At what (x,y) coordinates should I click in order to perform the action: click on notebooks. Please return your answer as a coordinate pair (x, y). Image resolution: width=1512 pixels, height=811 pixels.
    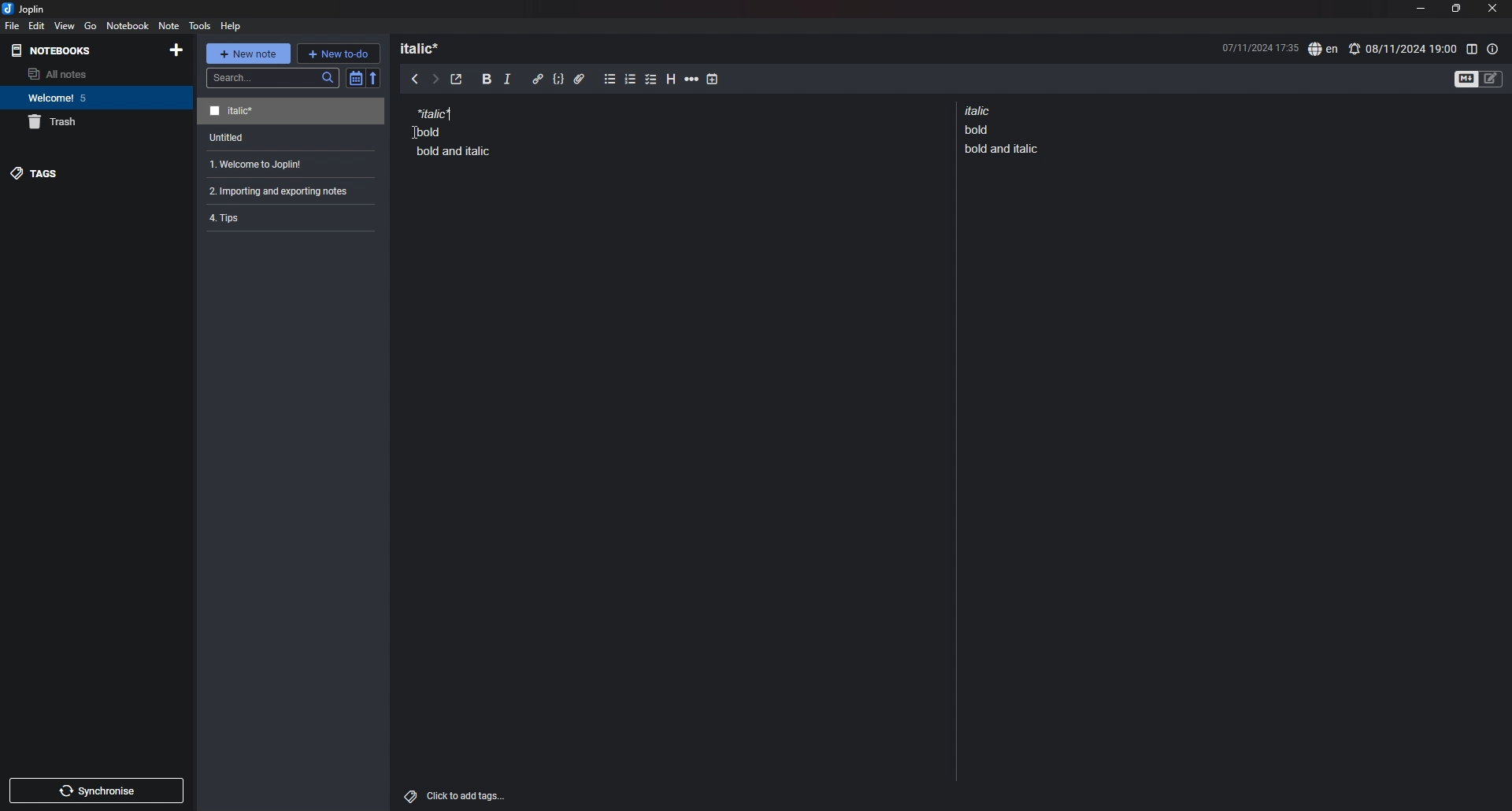
    Looking at the image, I should click on (55, 50).